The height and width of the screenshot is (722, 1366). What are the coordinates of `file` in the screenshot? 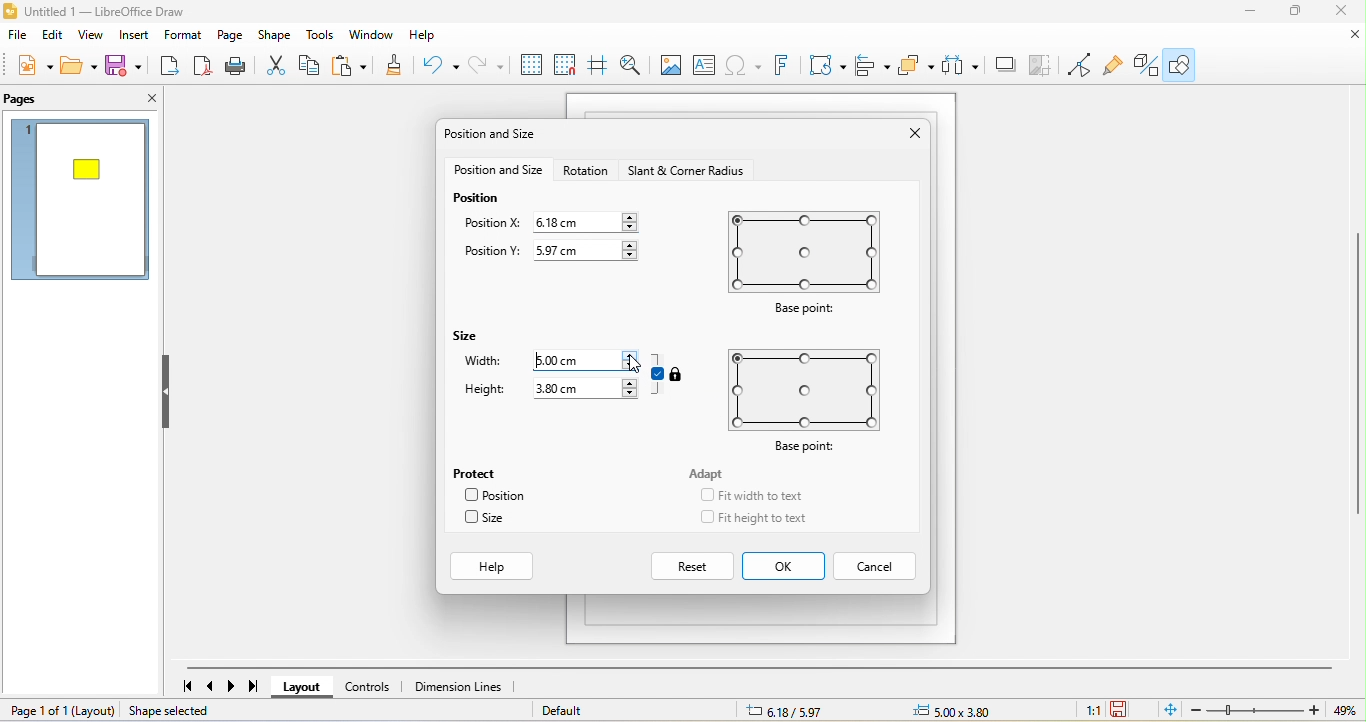 It's located at (19, 34).